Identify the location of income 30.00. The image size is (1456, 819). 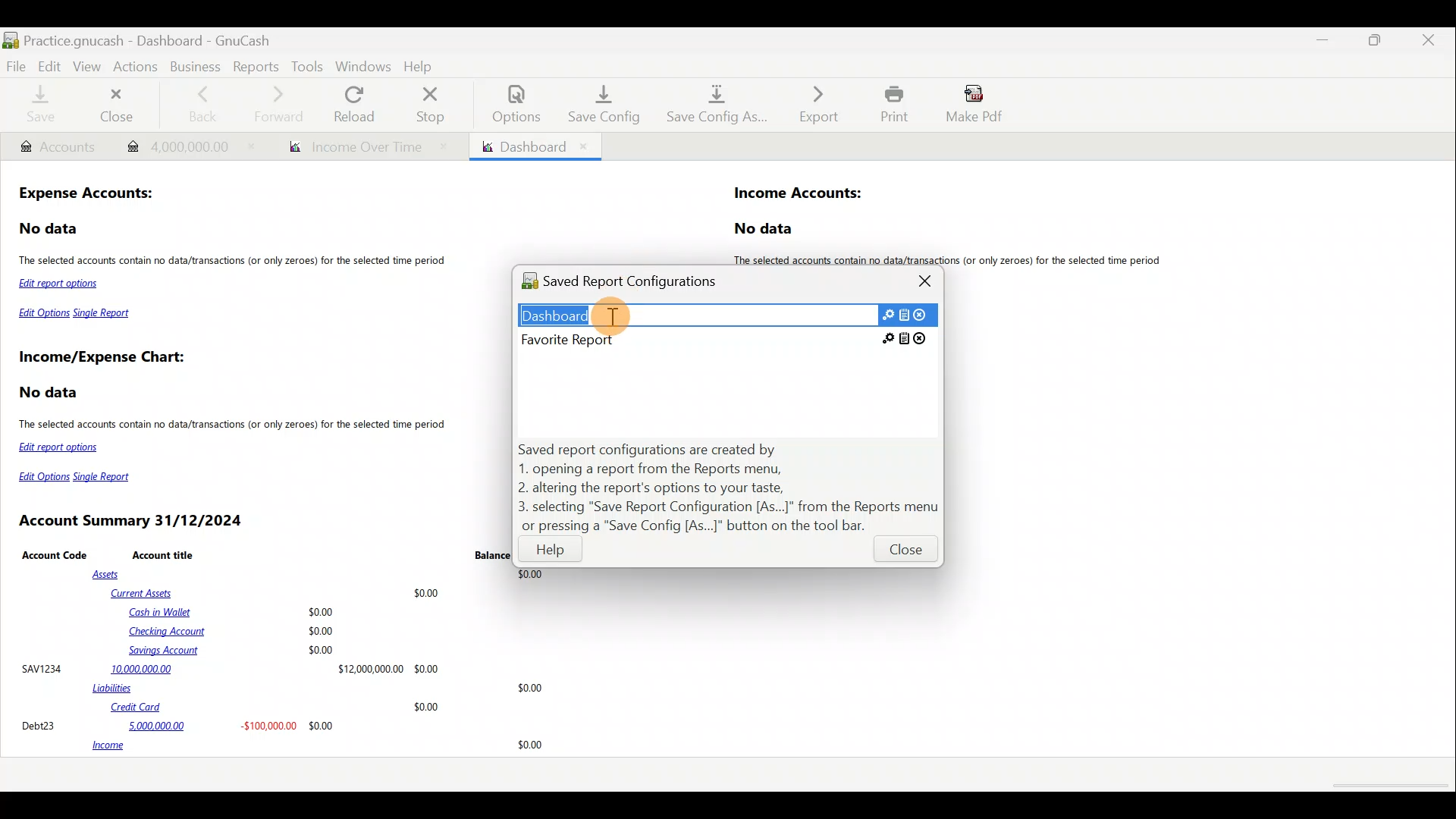
(317, 746).